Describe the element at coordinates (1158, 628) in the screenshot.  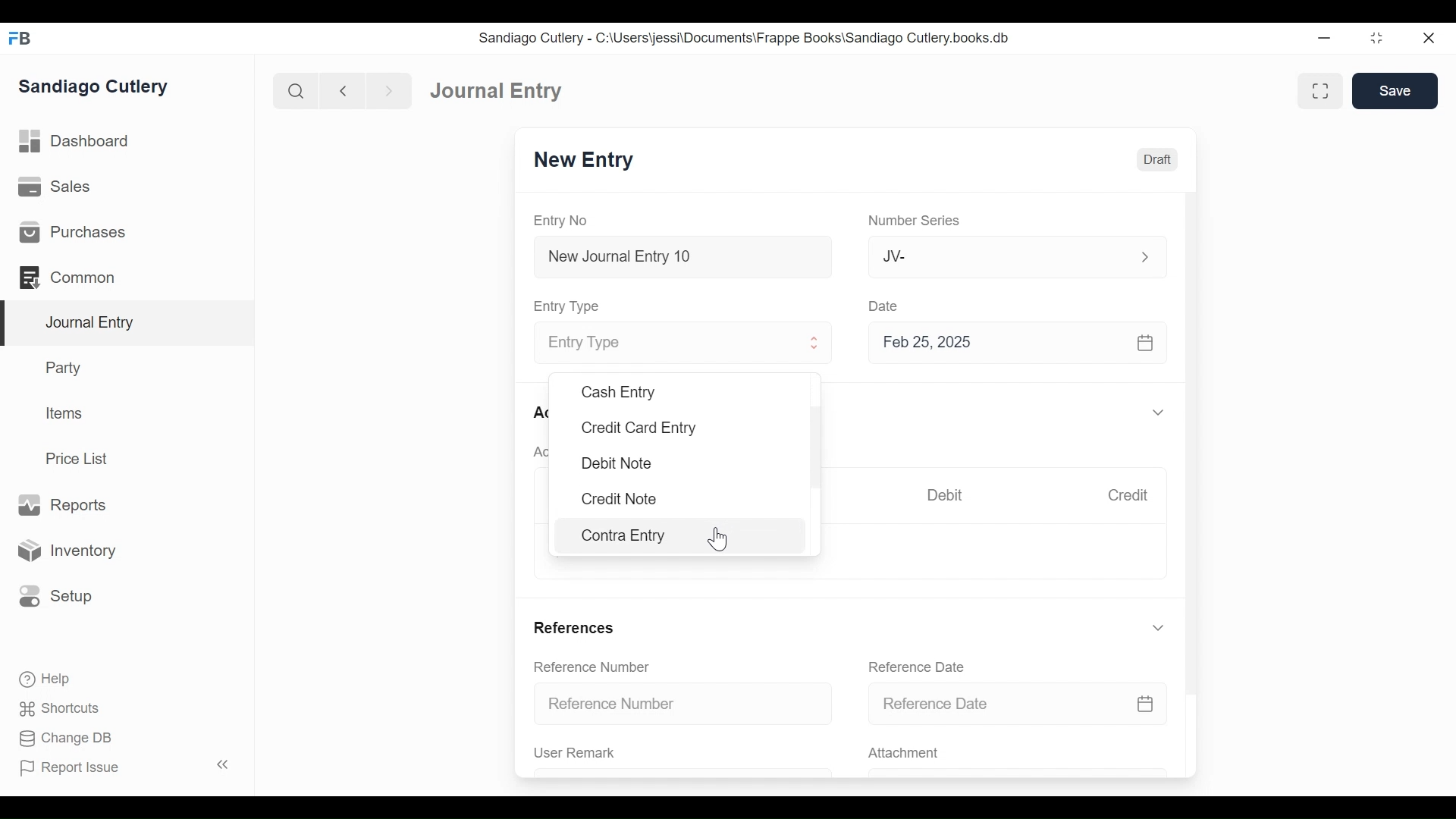
I see `Expand` at that location.